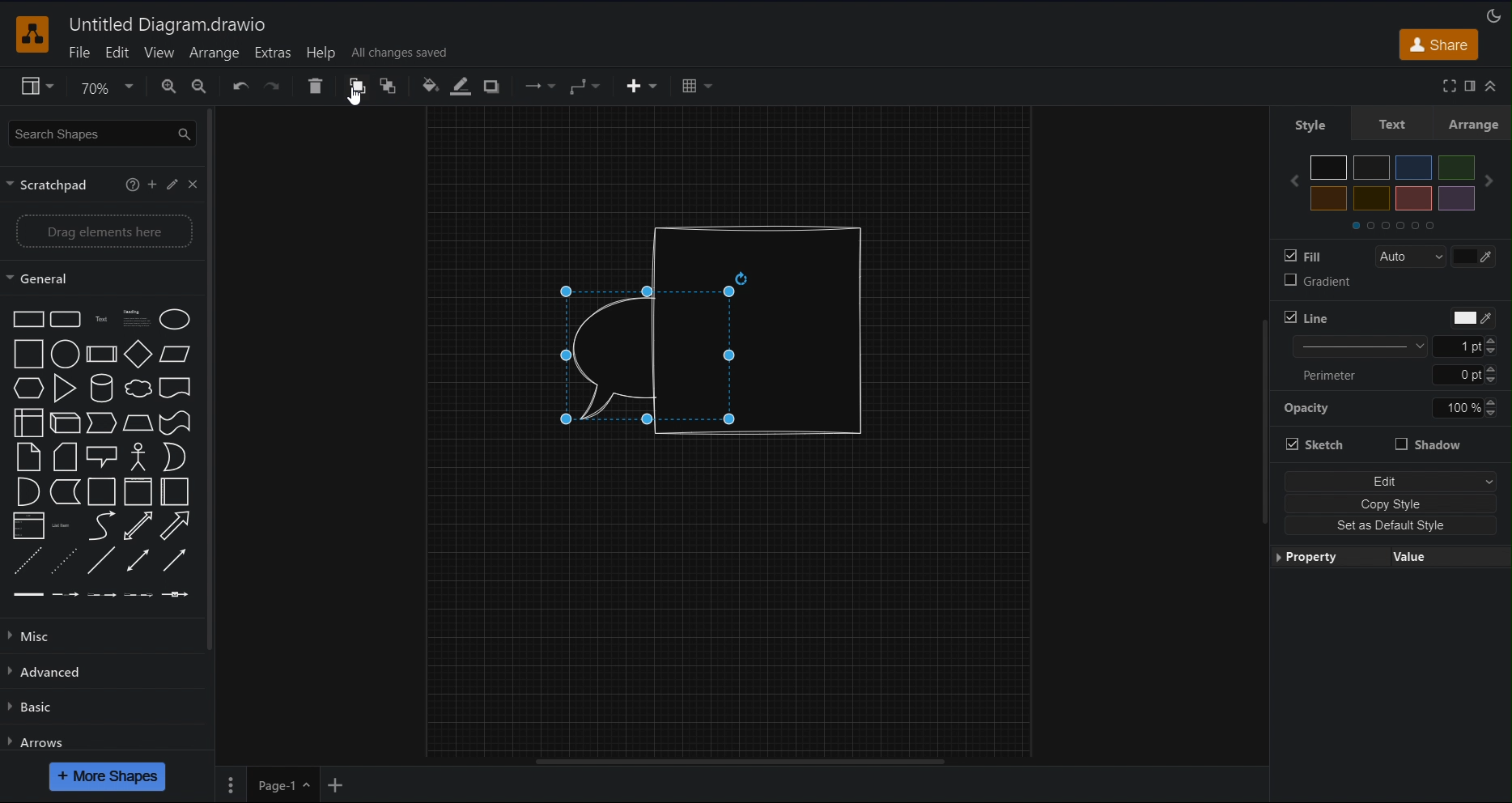 Image resolution: width=1512 pixels, height=803 pixels. What do you see at coordinates (336, 785) in the screenshot?
I see `Add New Page` at bounding box center [336, 785].